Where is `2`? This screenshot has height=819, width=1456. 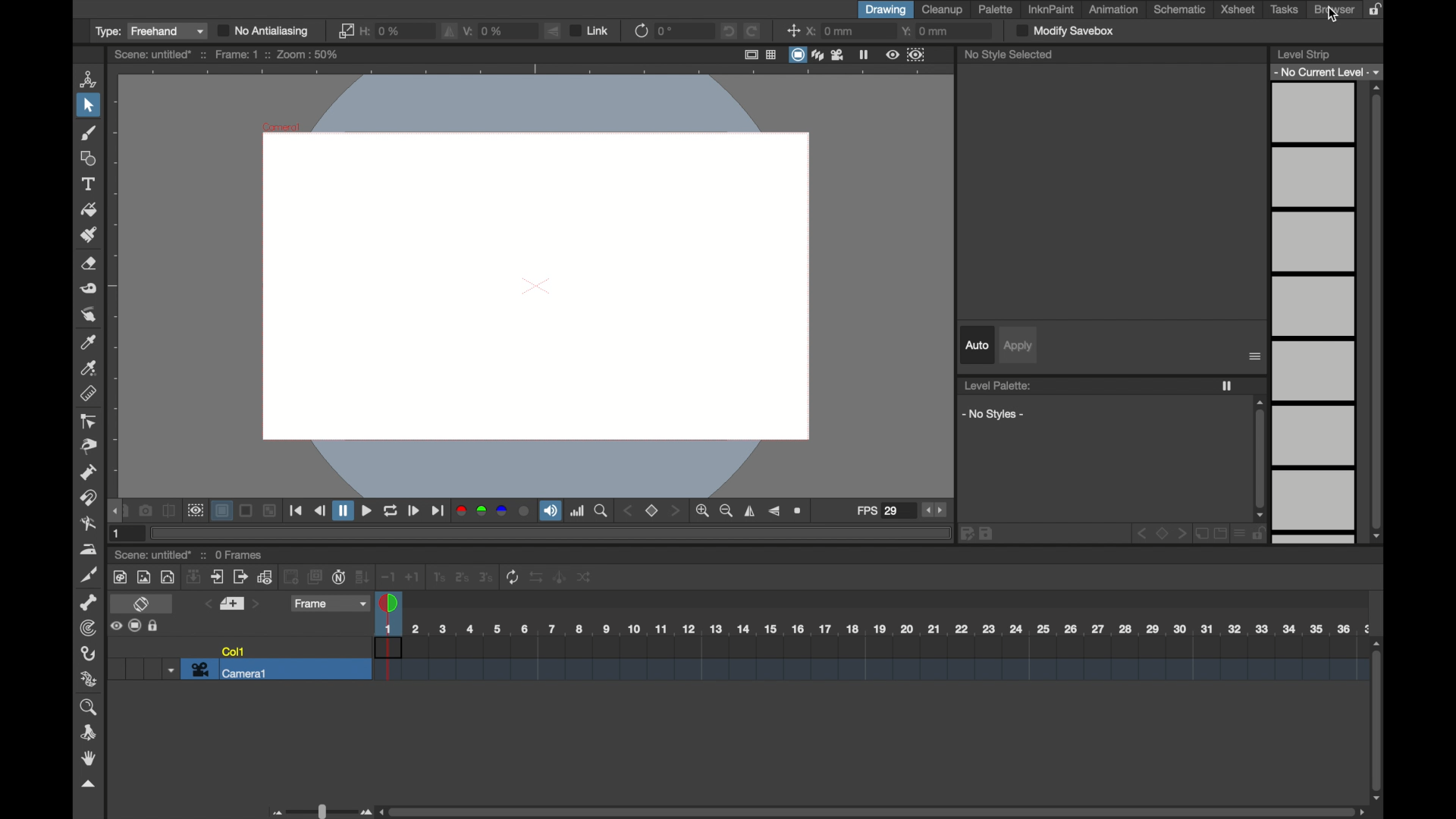
2 is located at coordinates (461, 576).